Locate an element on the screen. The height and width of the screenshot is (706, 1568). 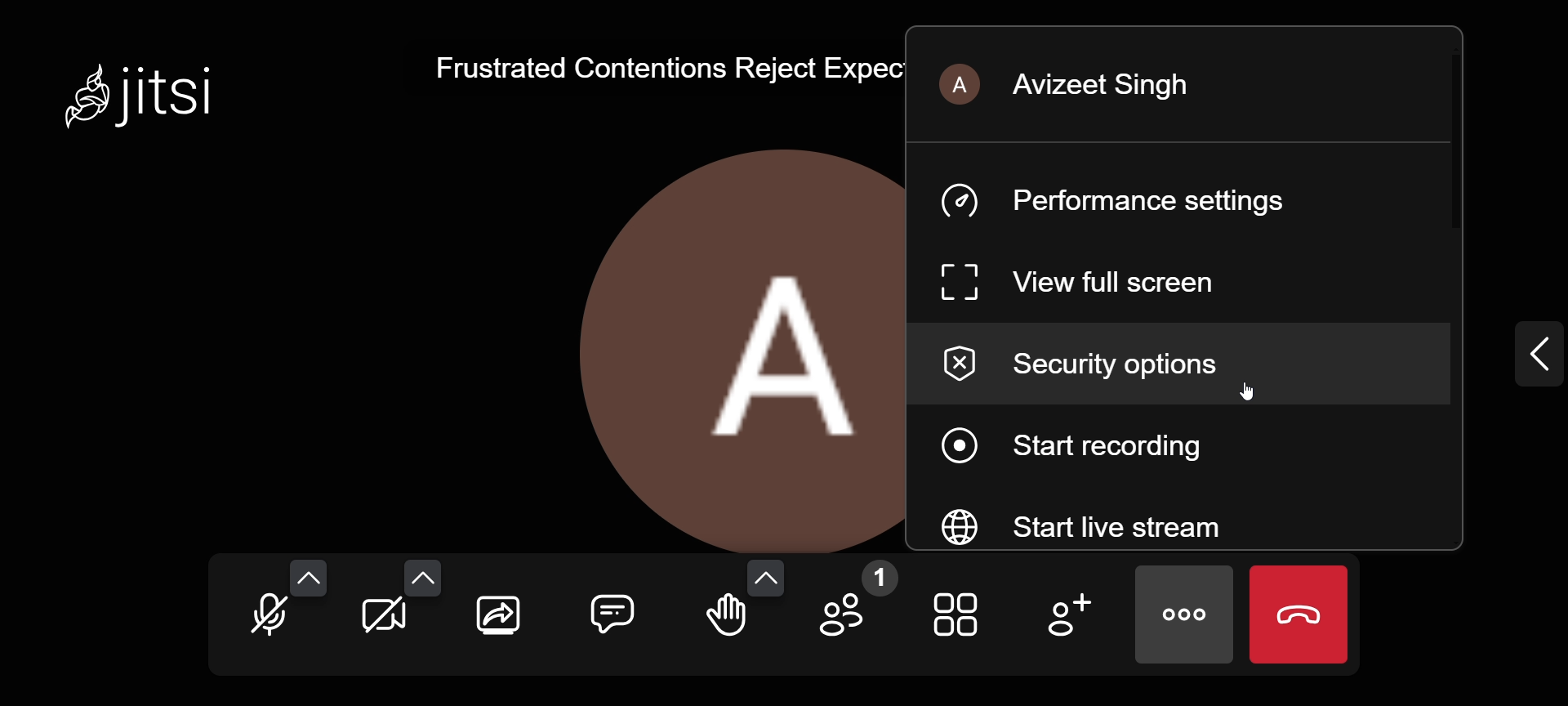
audio options is located at coordinates (308, 573).